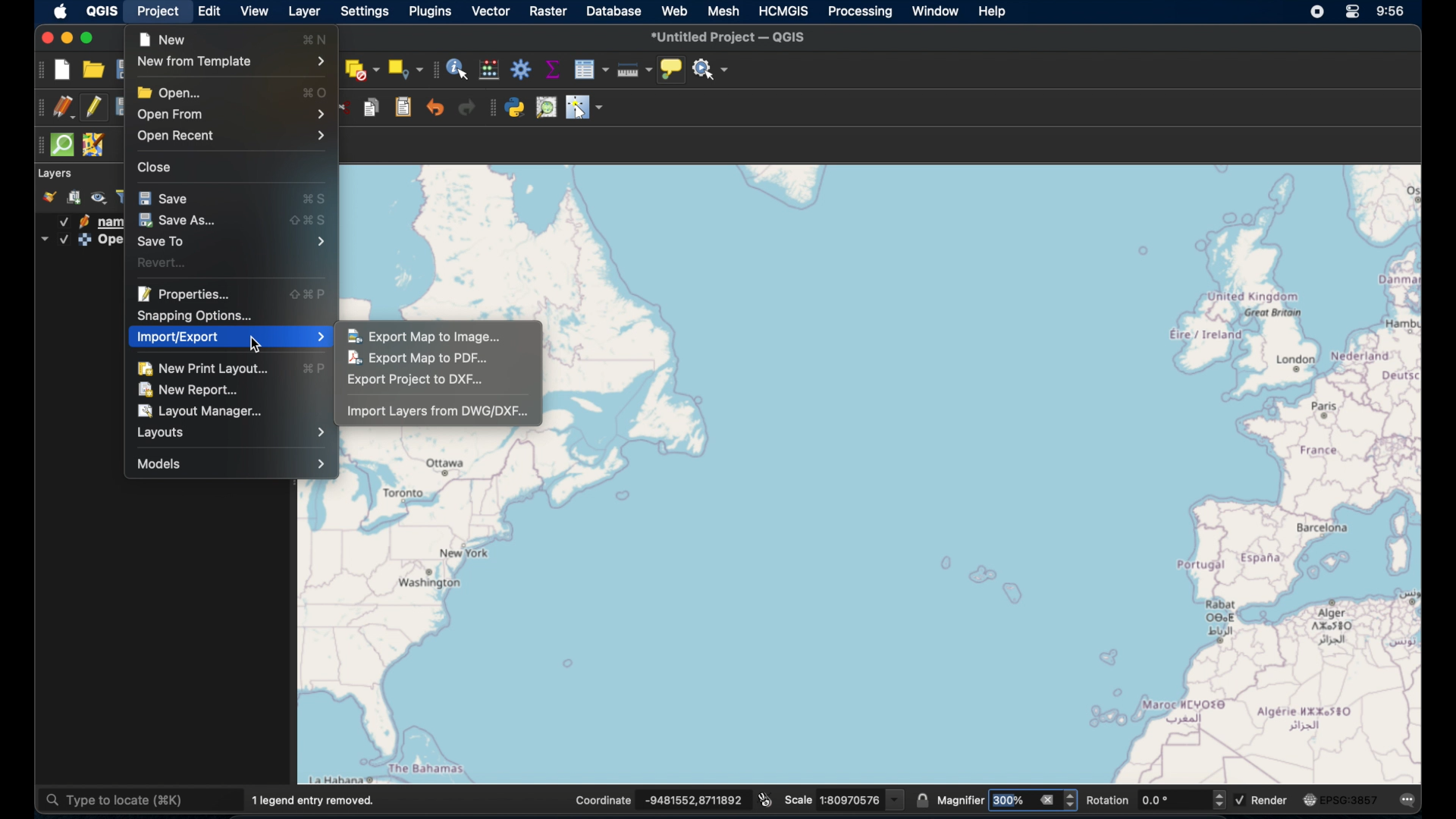  I want to click on database, so click(613, 11).